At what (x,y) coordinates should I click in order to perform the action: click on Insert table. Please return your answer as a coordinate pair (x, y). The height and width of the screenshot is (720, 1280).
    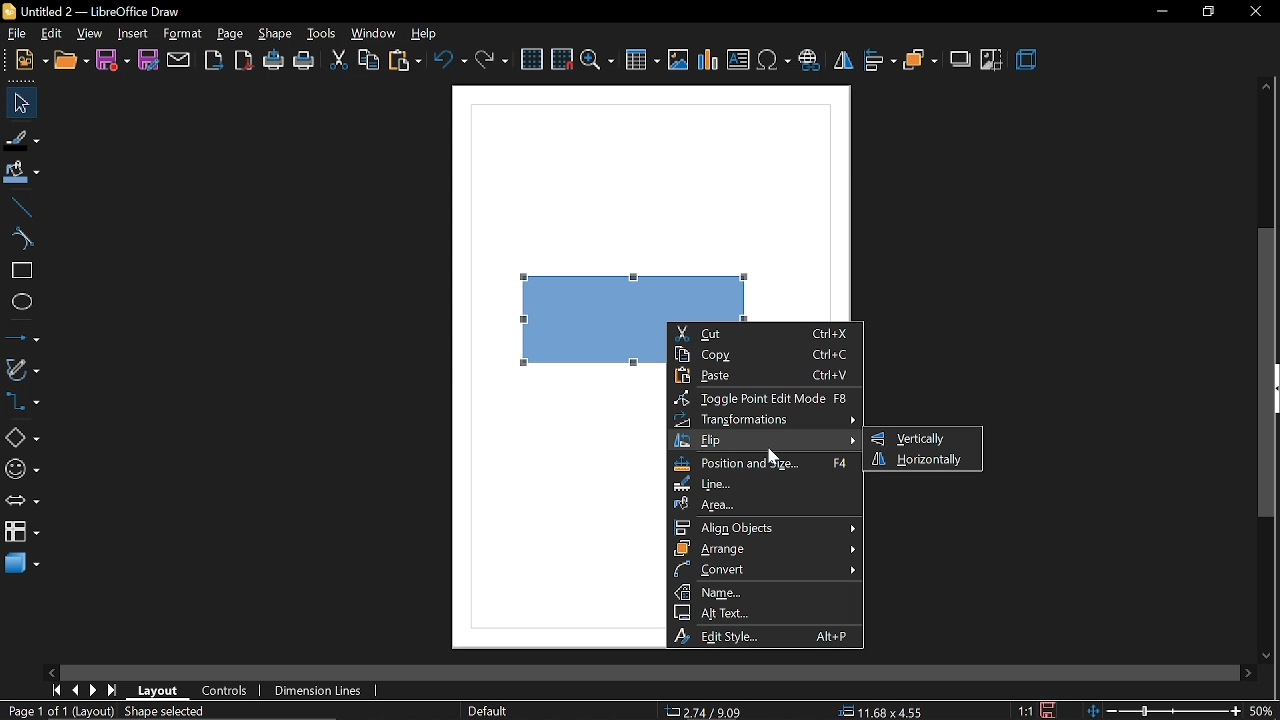
    Looking at the image, I should click on (642, 63).